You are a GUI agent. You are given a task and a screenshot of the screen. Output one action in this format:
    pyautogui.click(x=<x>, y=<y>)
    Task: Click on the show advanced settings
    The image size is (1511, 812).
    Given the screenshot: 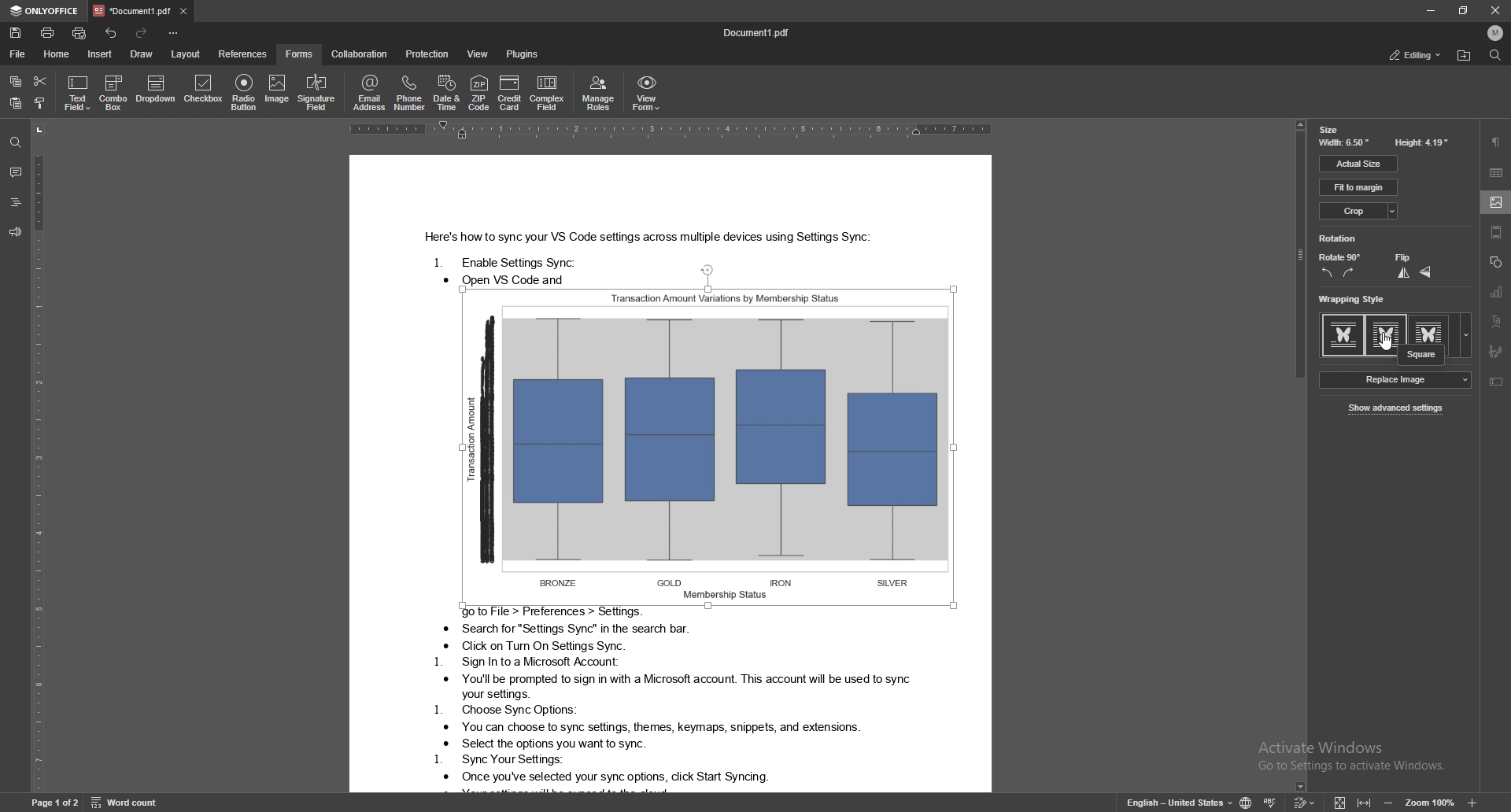 What is the action you would take?
    pyautogui.click(x=1395, y=409)
    